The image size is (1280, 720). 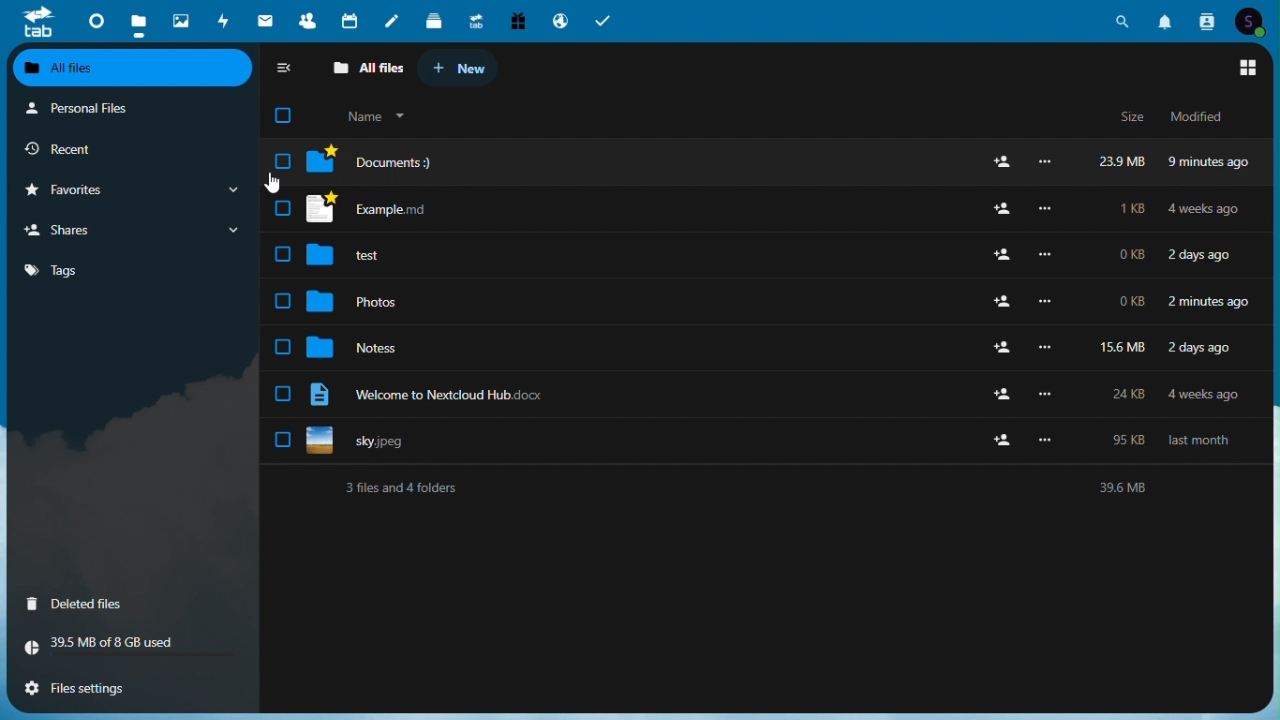 I want to click on select, so click(x=281, y=299).